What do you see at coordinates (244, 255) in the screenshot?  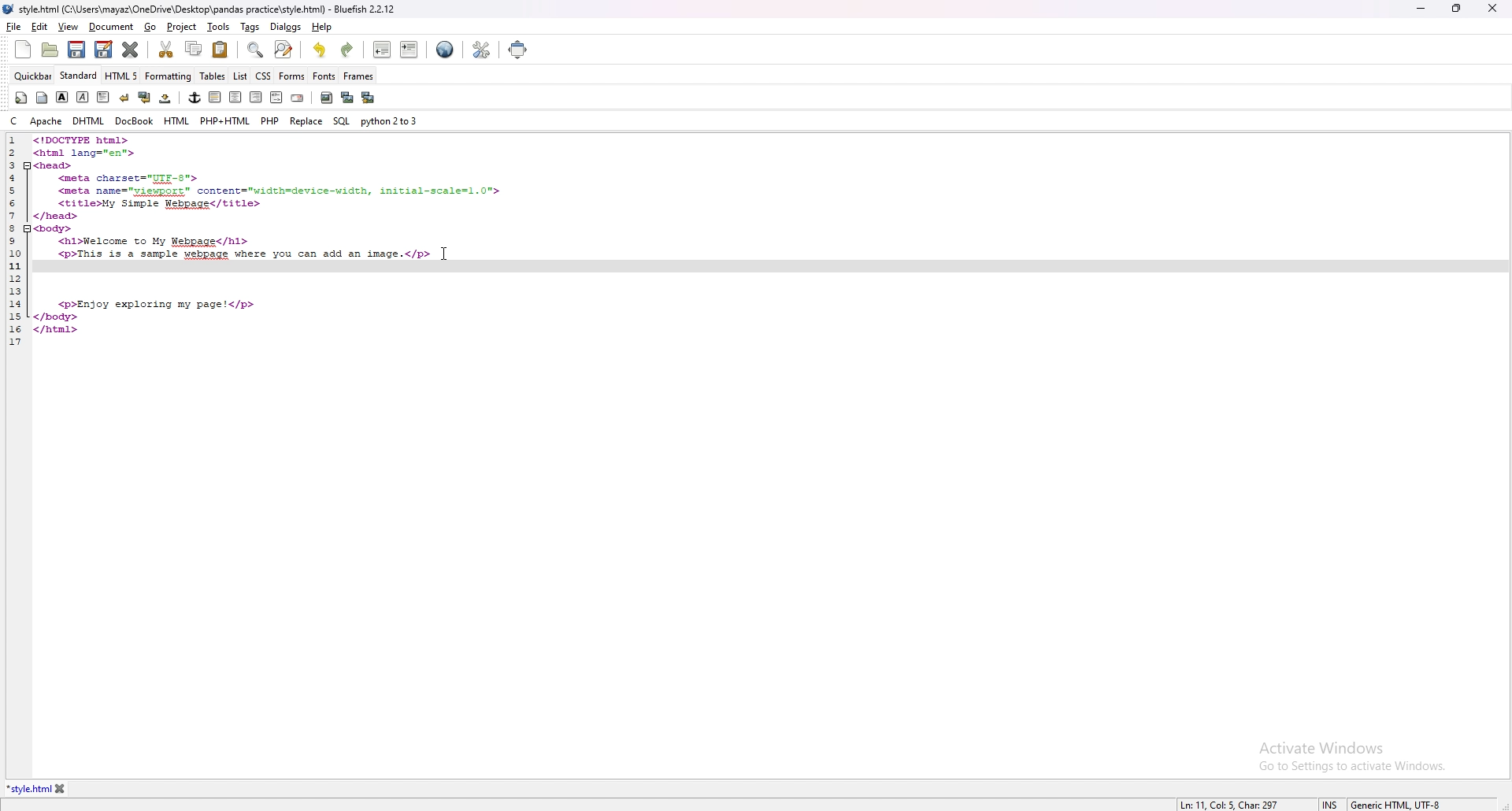 I see `<p>This is a sample webpage where you can add an image.</p>` at bounding box center [244, 255].